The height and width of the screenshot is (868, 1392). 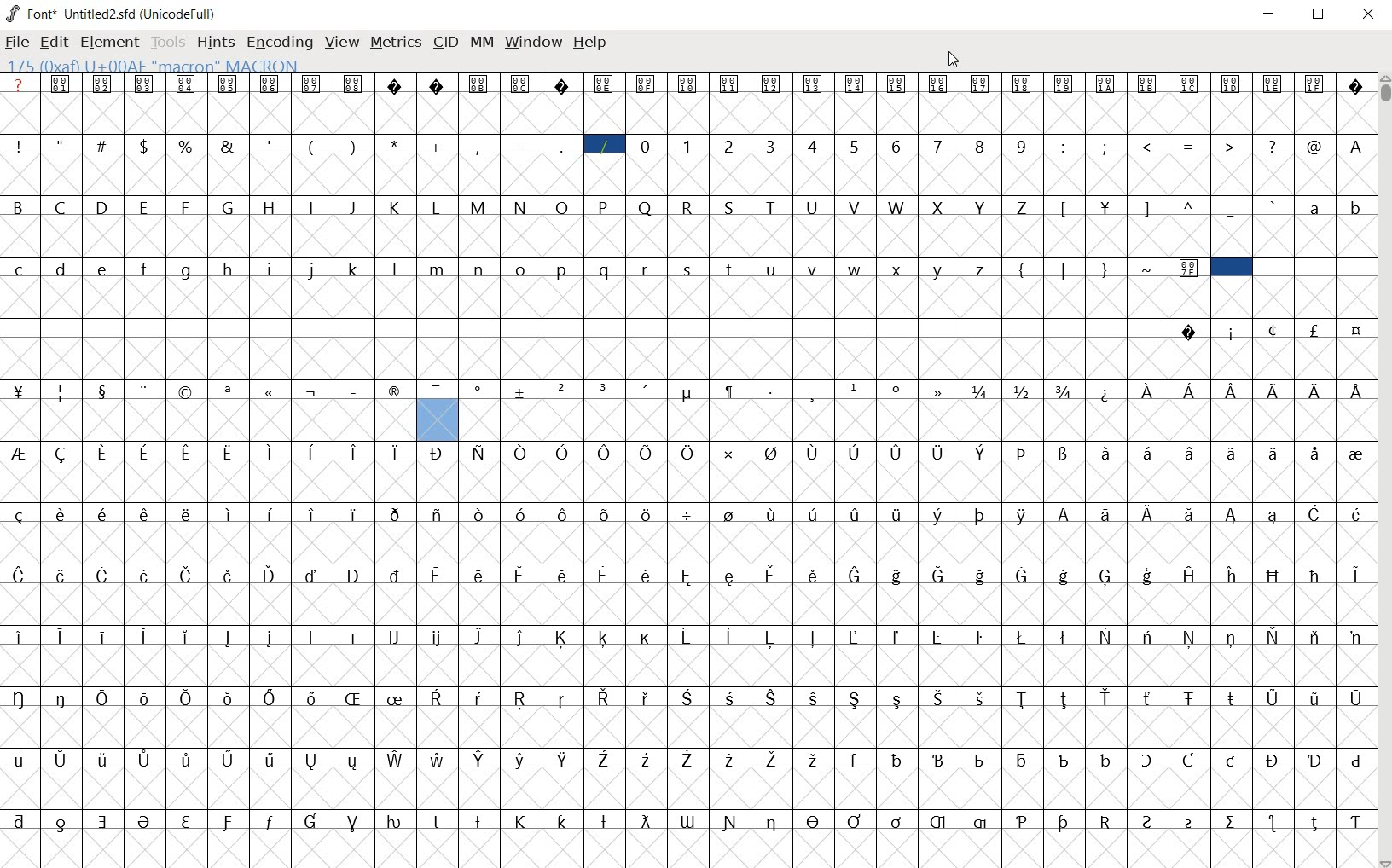 I want to click on Symbol, so click(x=1354, y=576).